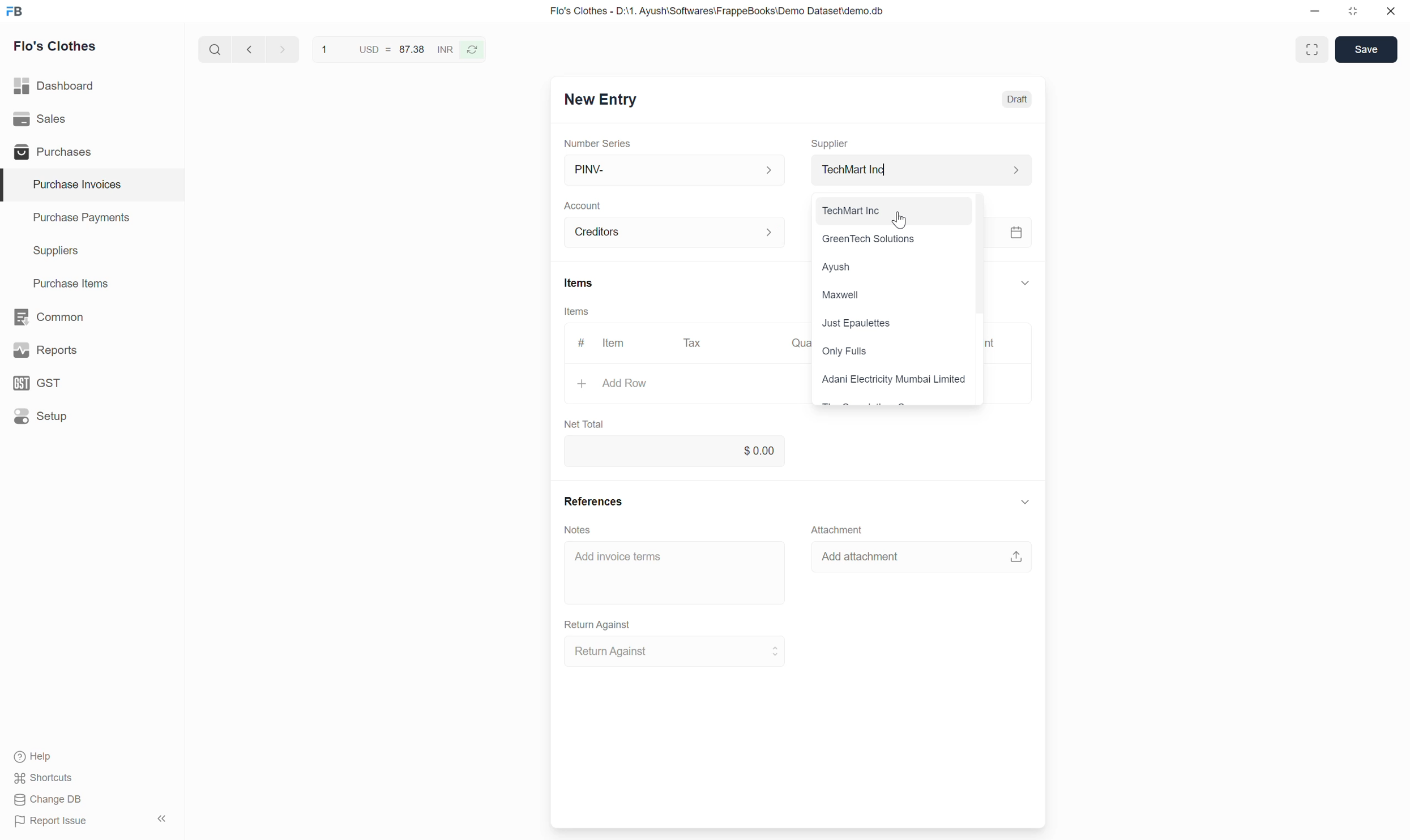  What do you see at coordinates (583, 422) in the screenshot?
I see `Net Total` at bounding box center [583, 422].